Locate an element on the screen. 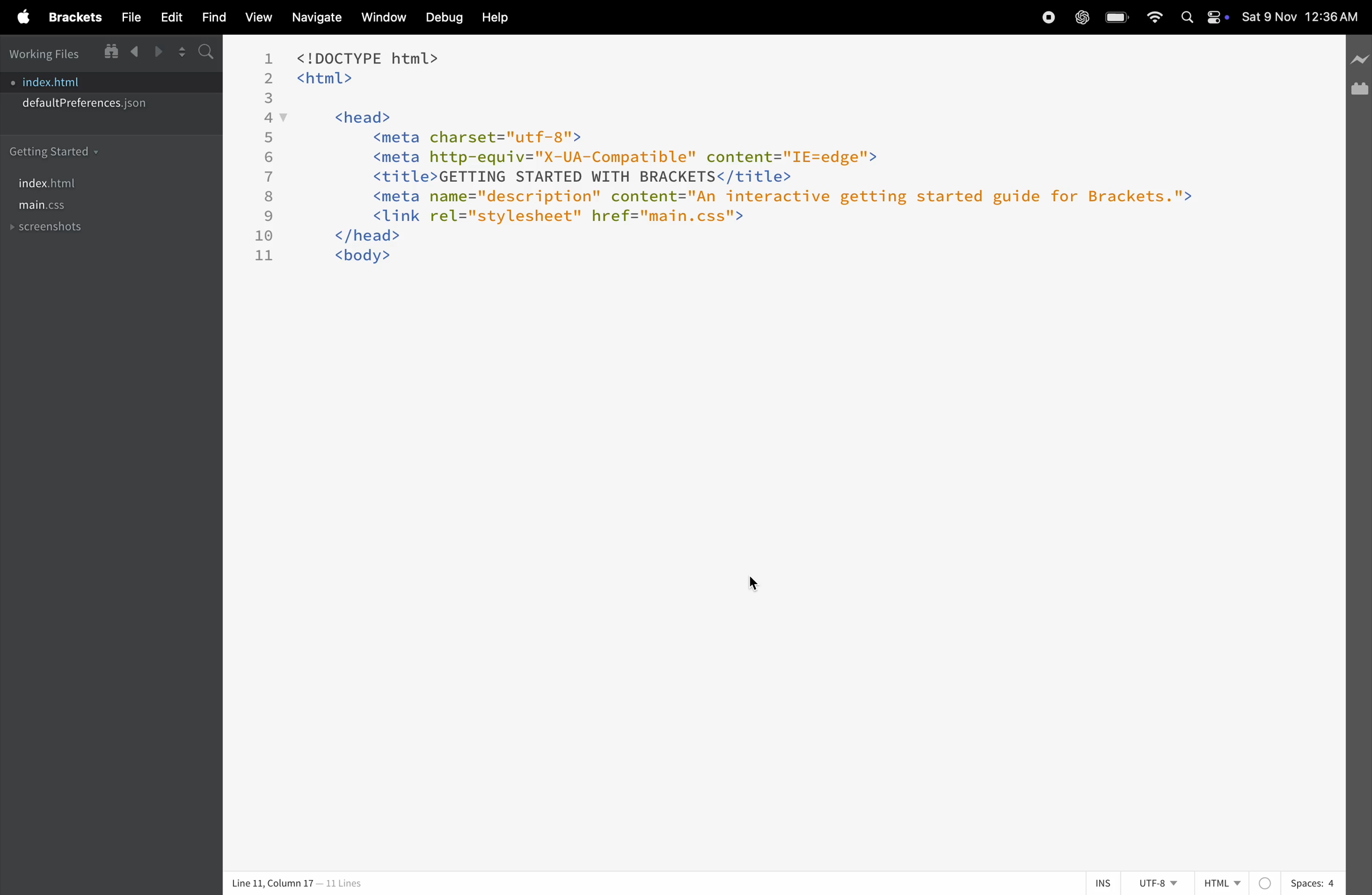 This screenshot has height=895, width=1372. brackets is located at coordinates (77, 17).